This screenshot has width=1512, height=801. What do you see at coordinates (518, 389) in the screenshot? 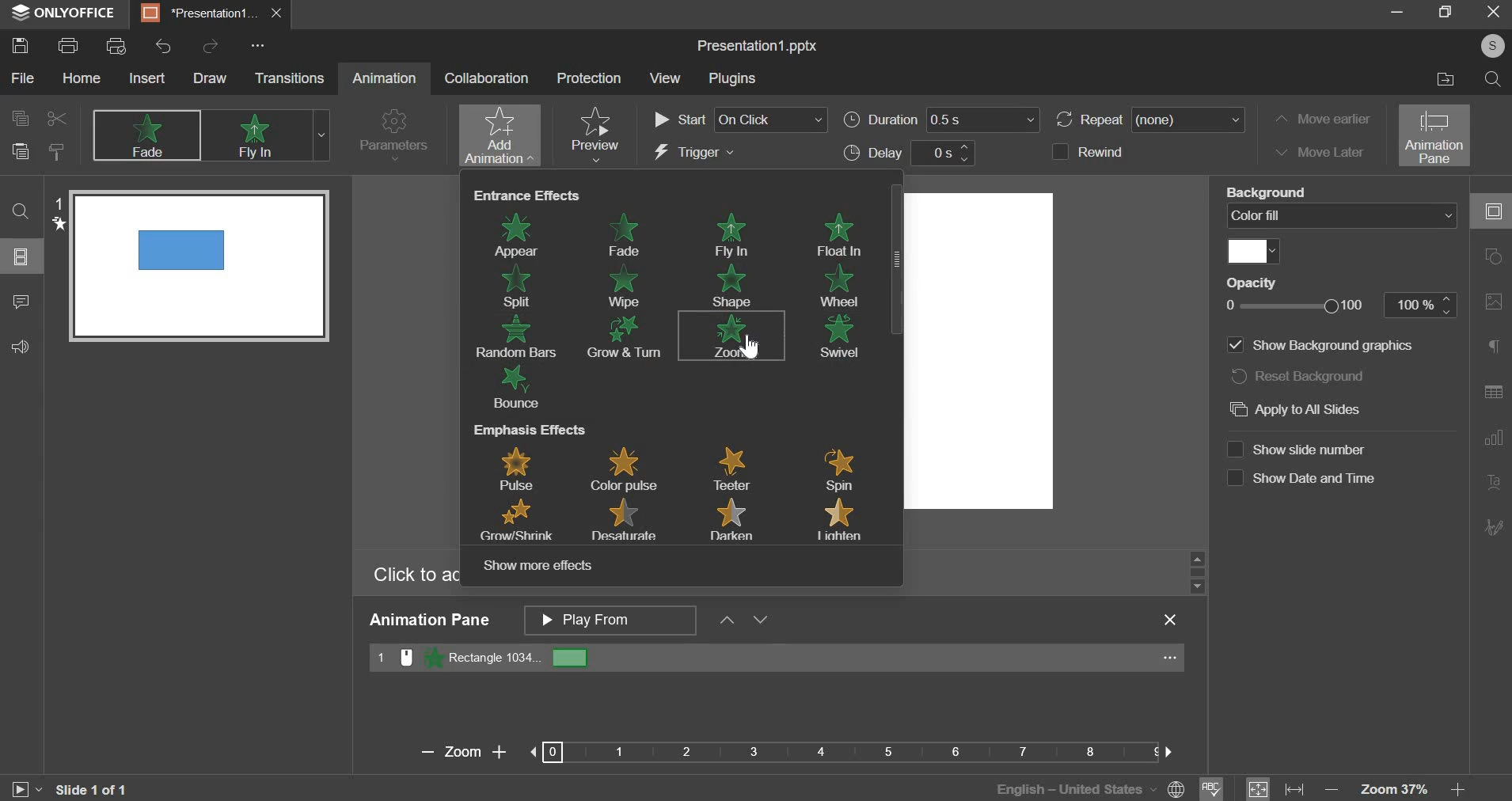
I see `bounce` at bounding box center [518, 389].